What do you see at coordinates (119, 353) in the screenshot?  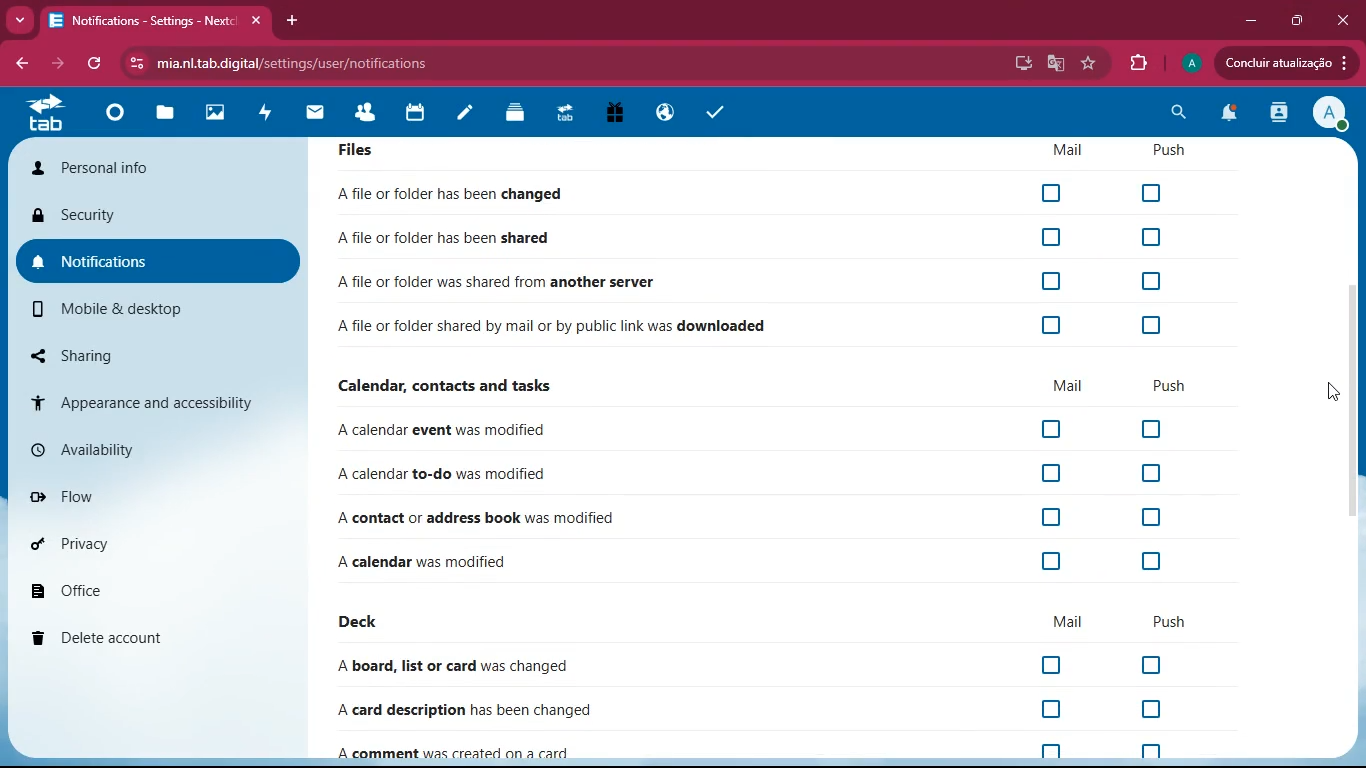 I see `sharing` at bounding box center [119, 353].